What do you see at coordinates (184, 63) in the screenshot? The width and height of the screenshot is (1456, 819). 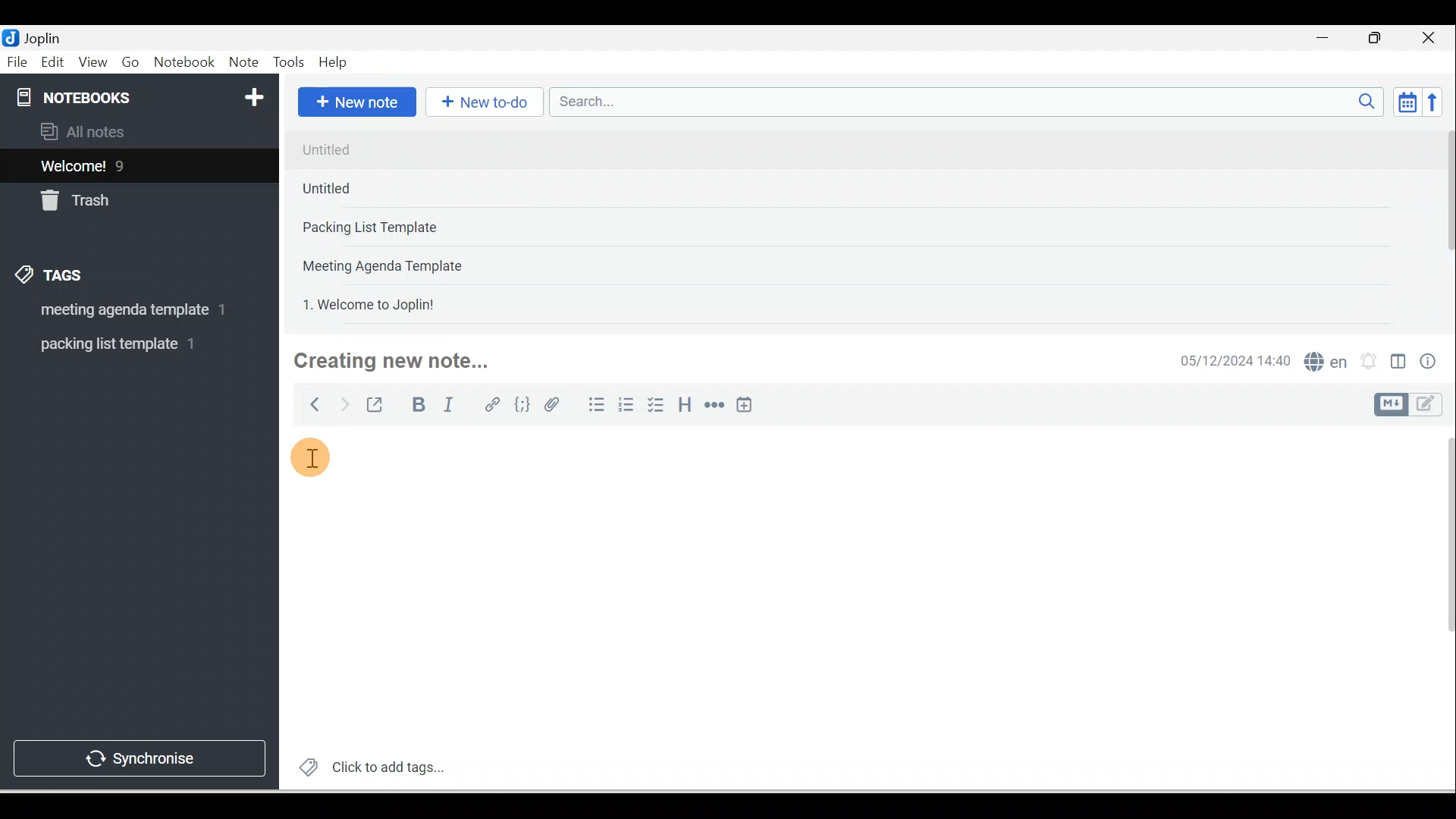 I see `Notebook` at bounding box center [184, 63].